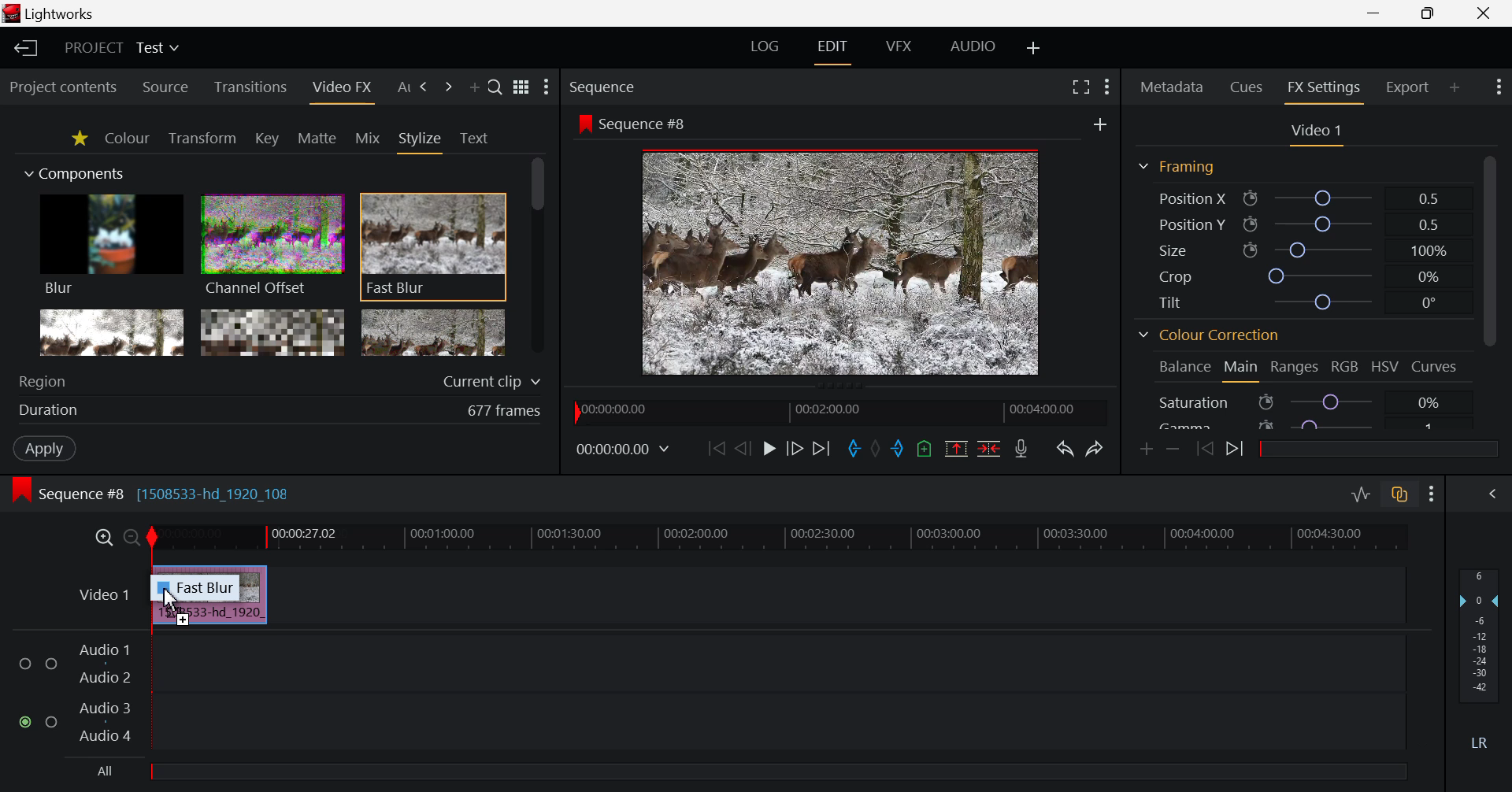 The width and height of the screenshot is (1512, 792). Describe the element at coordinates (1480, 662) in the screenshot. I see `Decibel Level` at that location.